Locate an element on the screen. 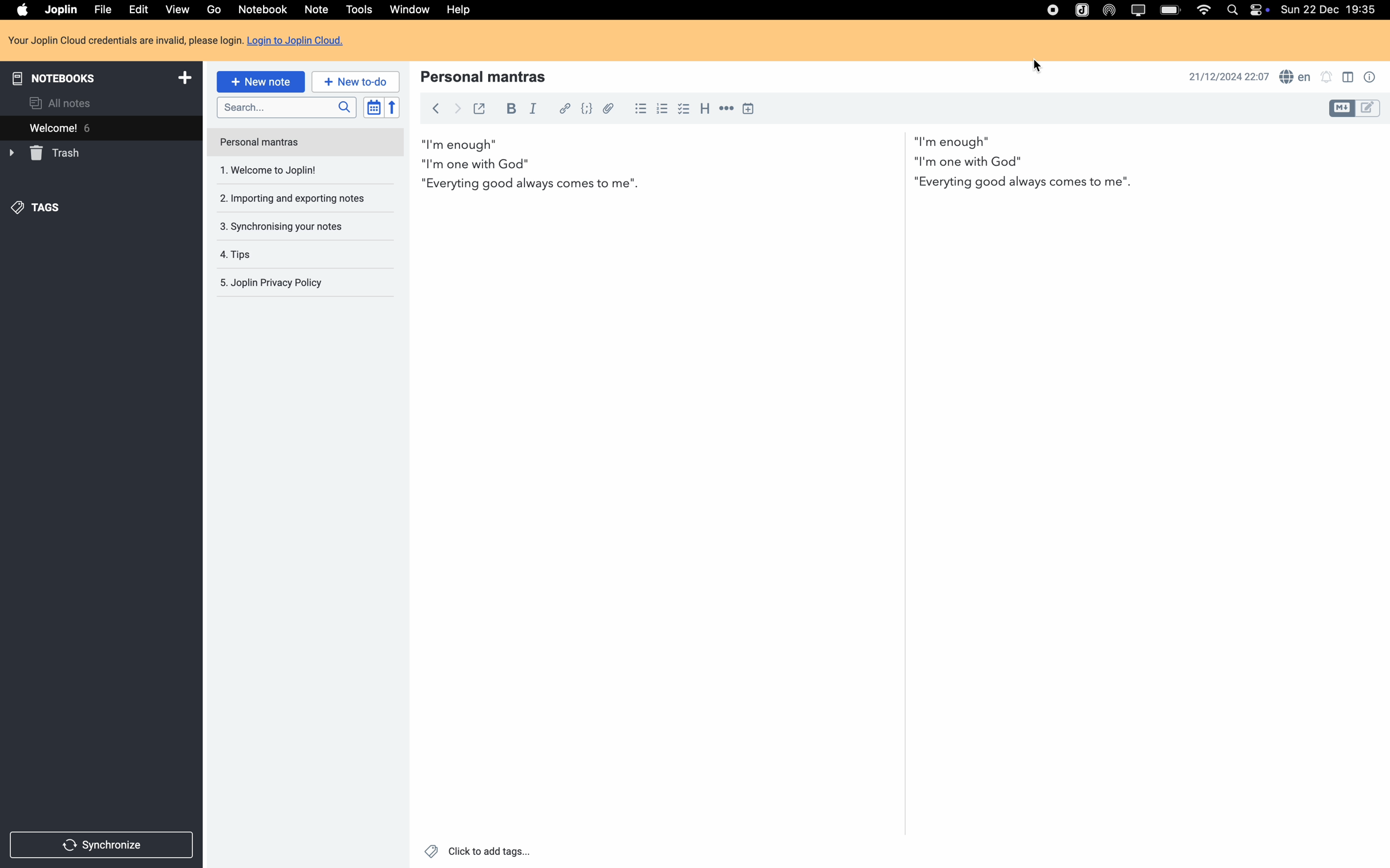 The height and width of the screenshot is (868, 1390). trash is located at coordinates (56, 154).